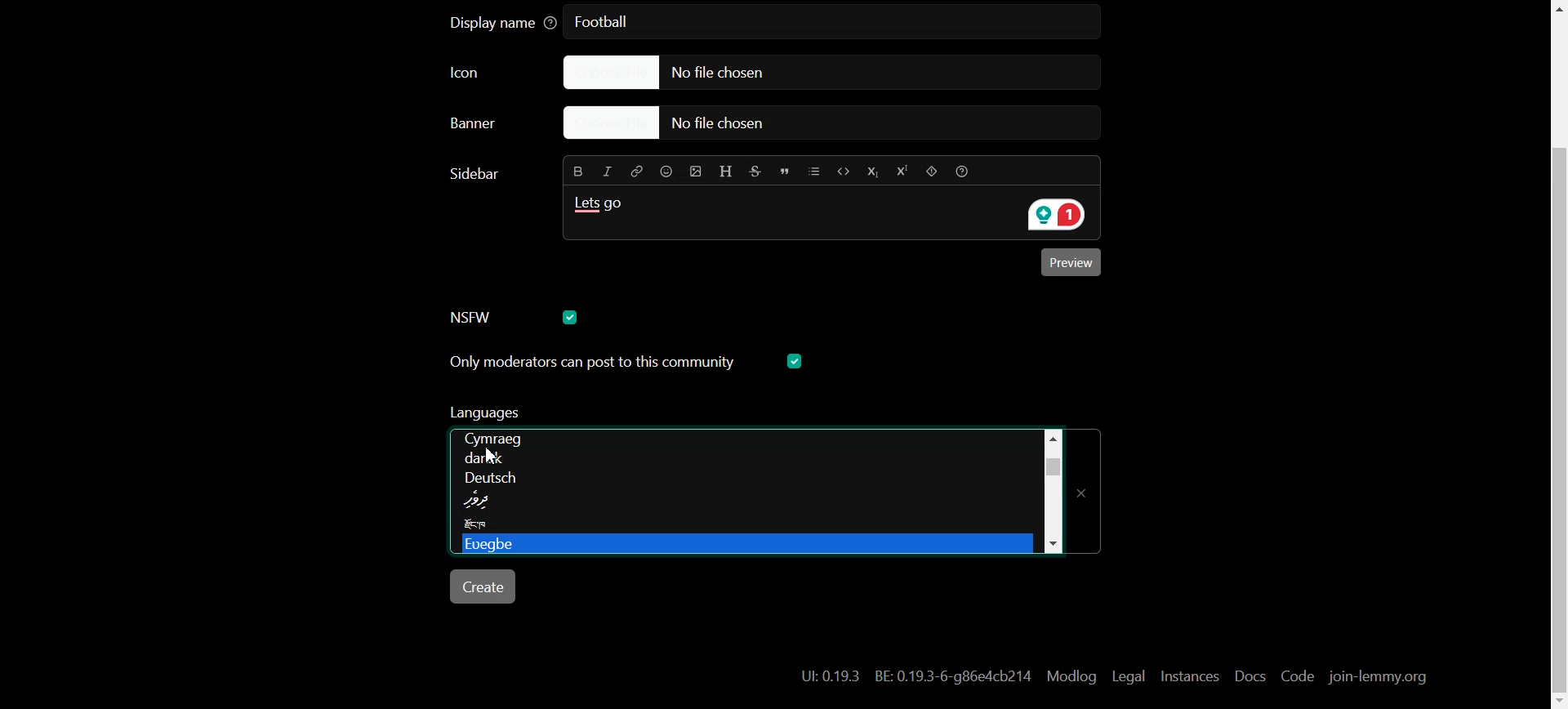 The width and height of the screenshot is (1568, 709). I want to click on Text, so click(608, 23).